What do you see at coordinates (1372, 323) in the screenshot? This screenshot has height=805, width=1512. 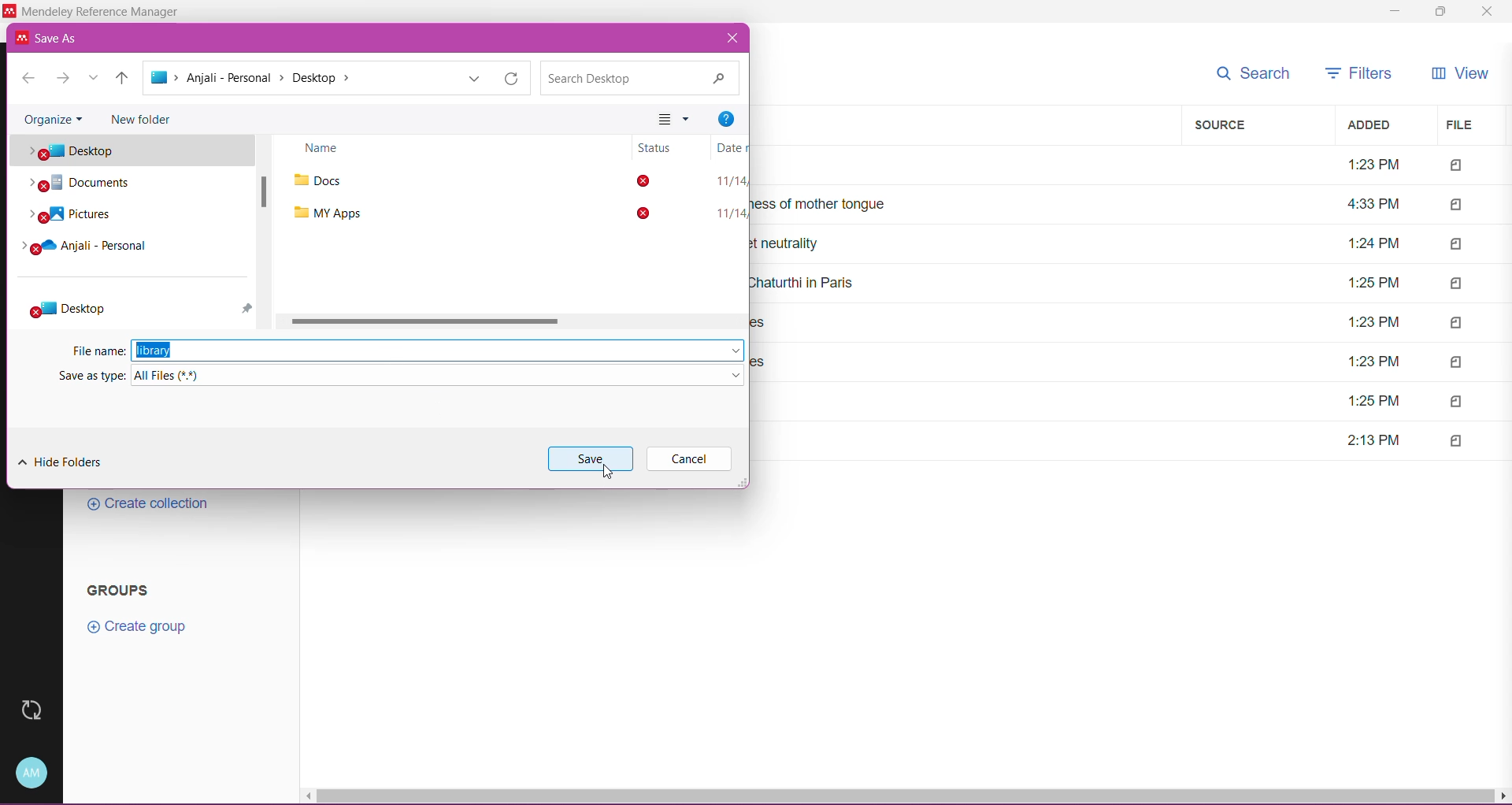 I see `1:23 PM` at bounding box center [1372, 323].